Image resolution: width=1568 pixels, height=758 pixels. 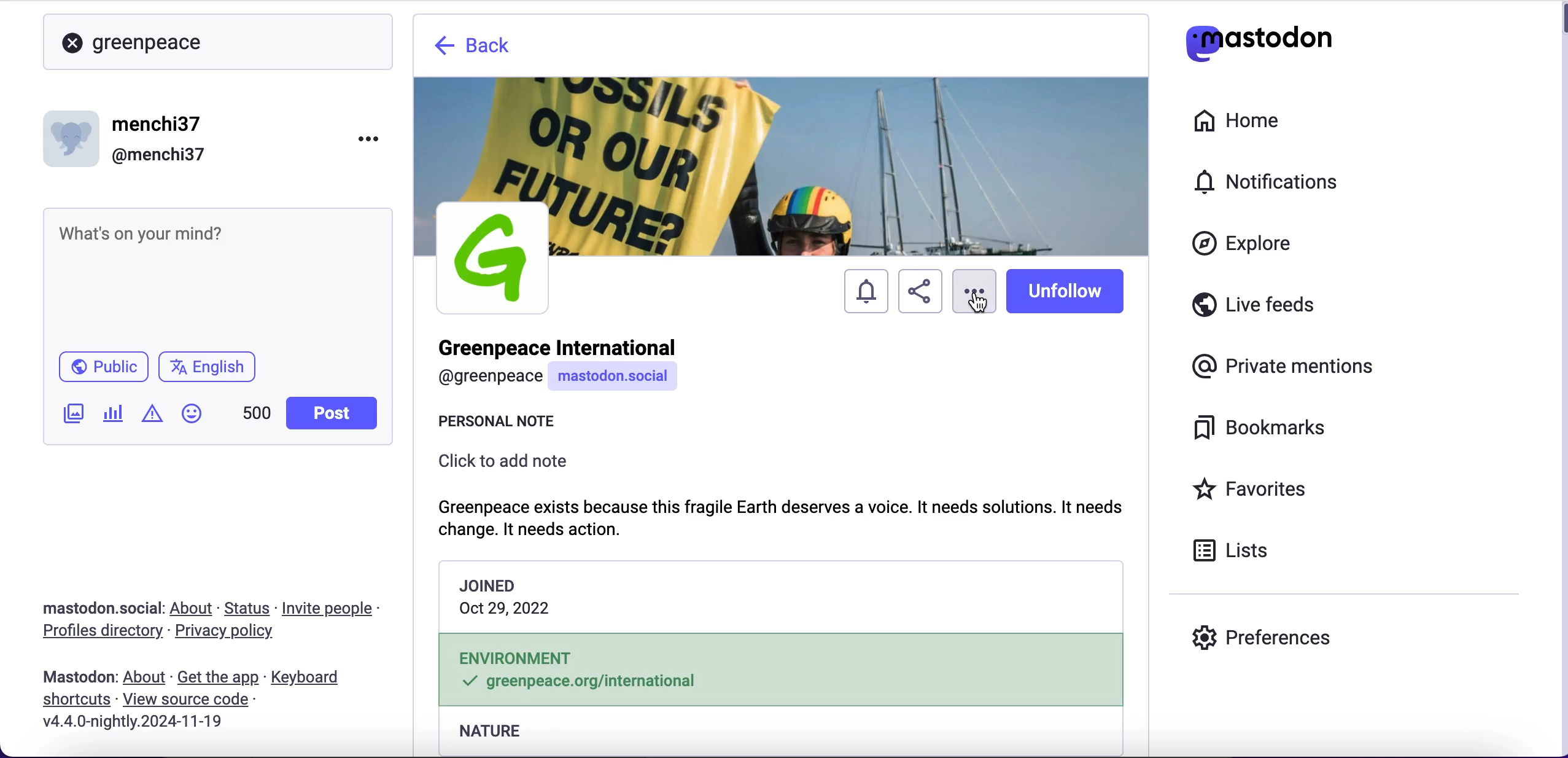 I want to click on bookmarks, so click(x=1263, y=428).